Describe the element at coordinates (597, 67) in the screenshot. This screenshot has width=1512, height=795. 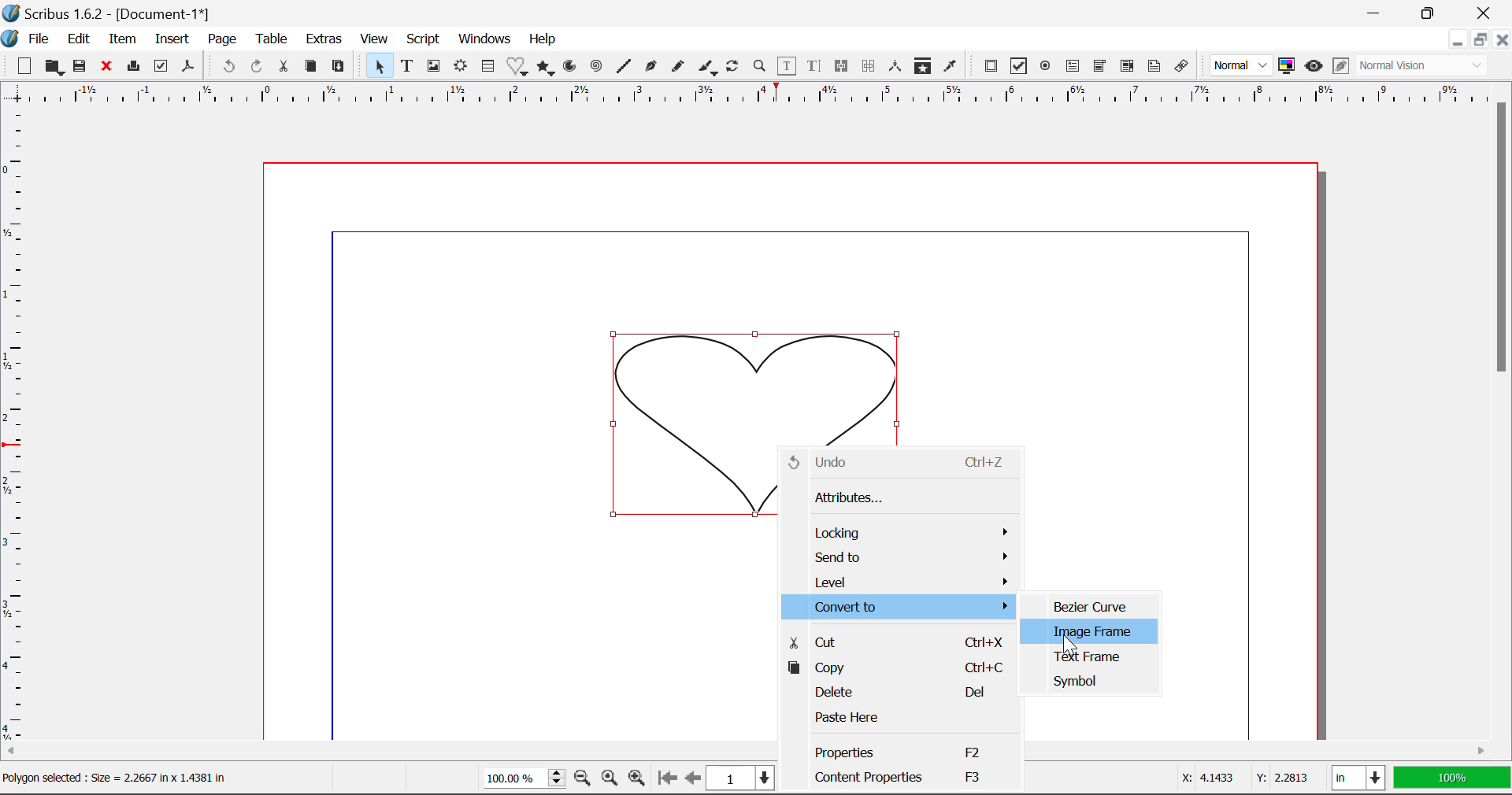
I see `Spiral` at that location.